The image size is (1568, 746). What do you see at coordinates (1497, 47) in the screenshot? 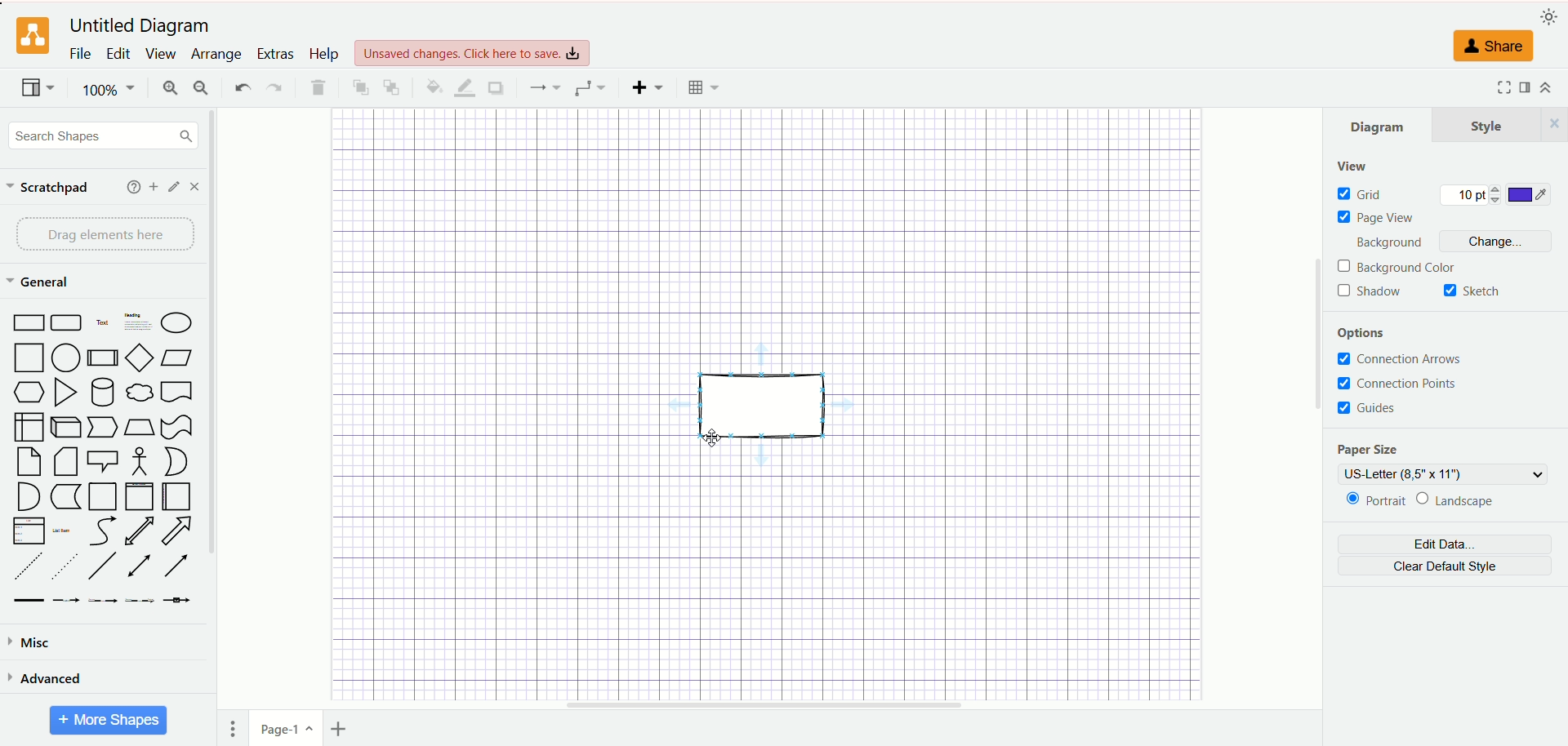
I see `share` at bounding box center [1497, 47].